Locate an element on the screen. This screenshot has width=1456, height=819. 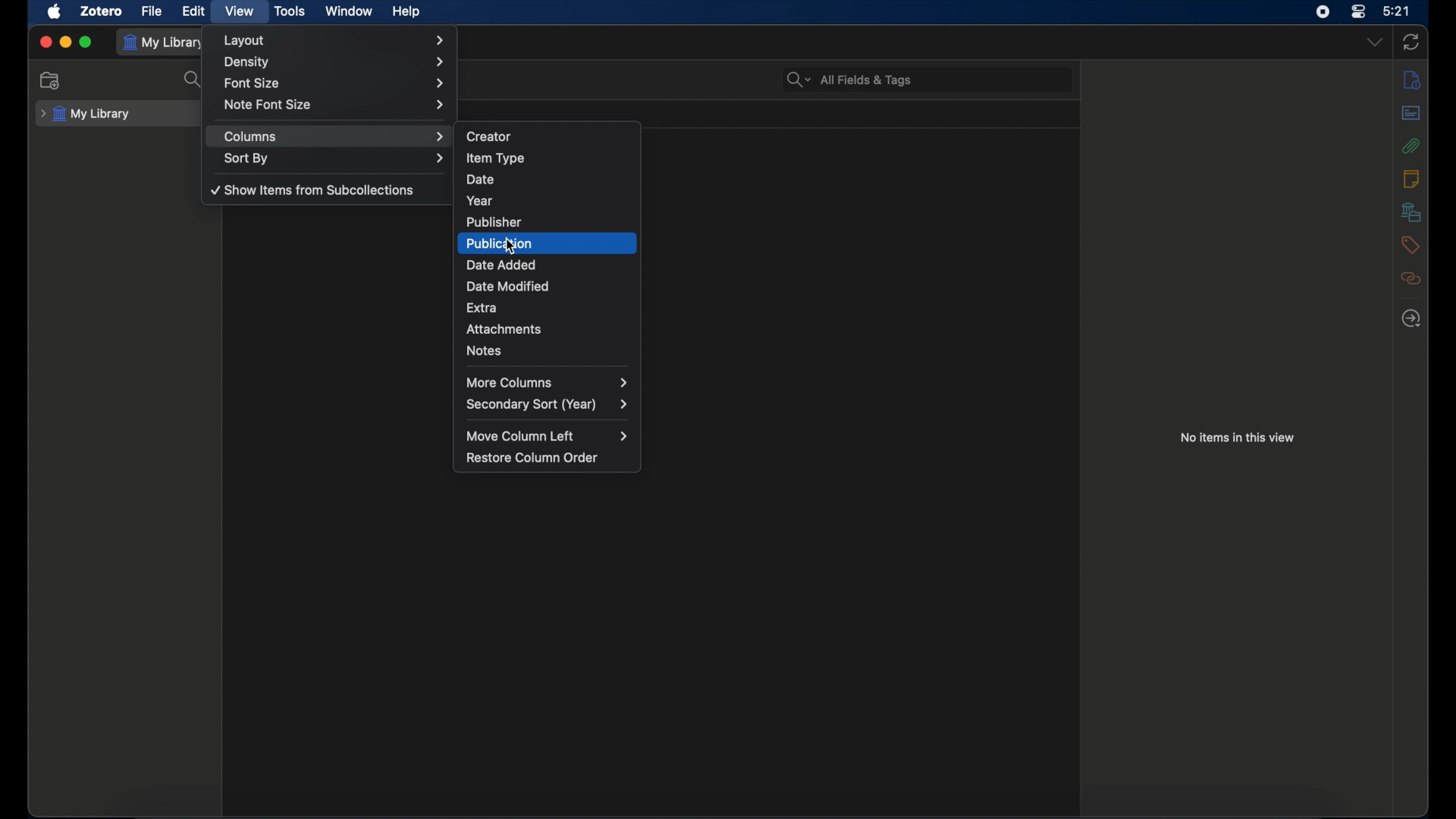
dropdown is located at coordinates (1373, 42).